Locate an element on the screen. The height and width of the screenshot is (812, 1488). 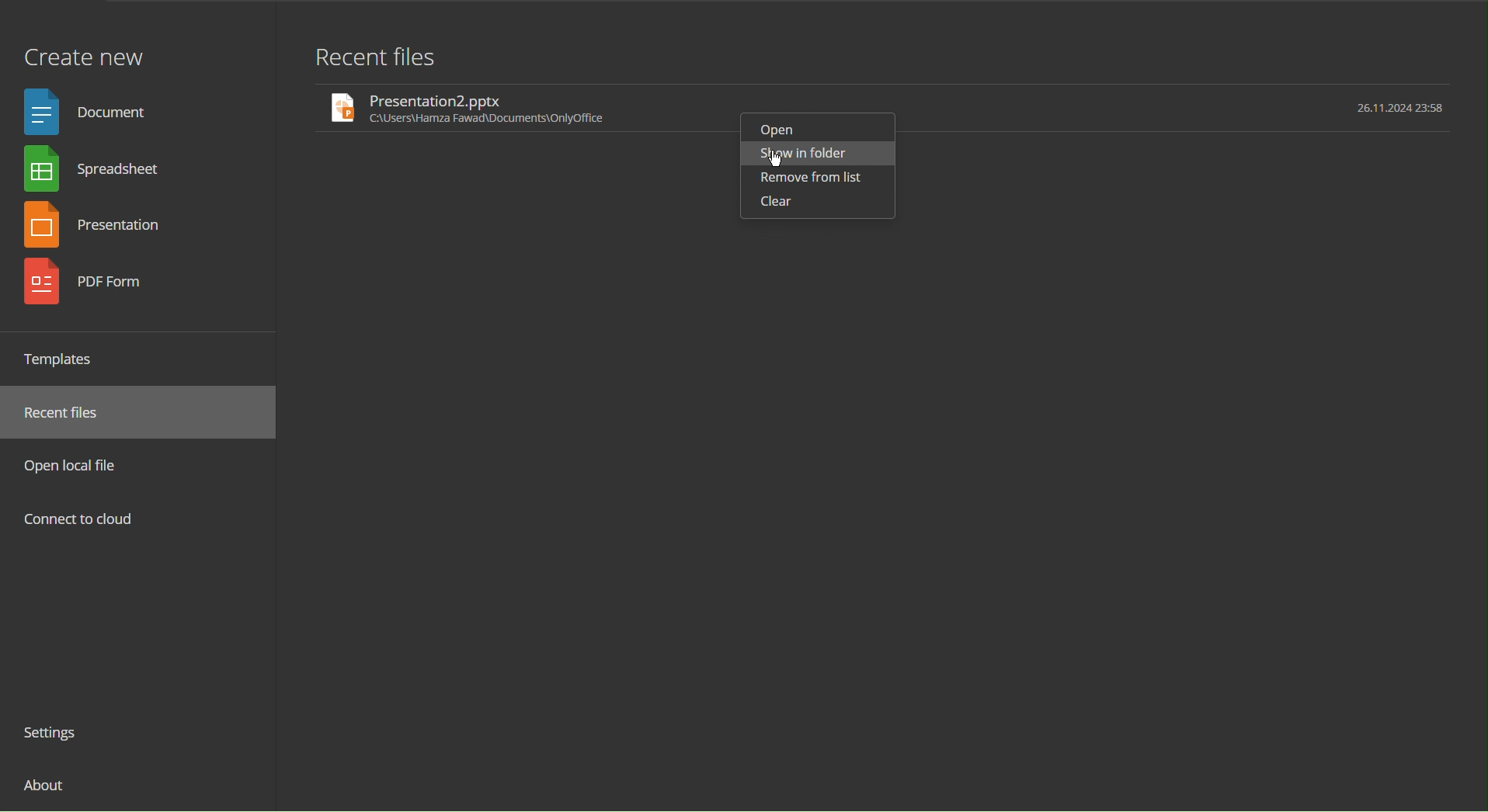
date and time is located at coordinates (1396, 109).